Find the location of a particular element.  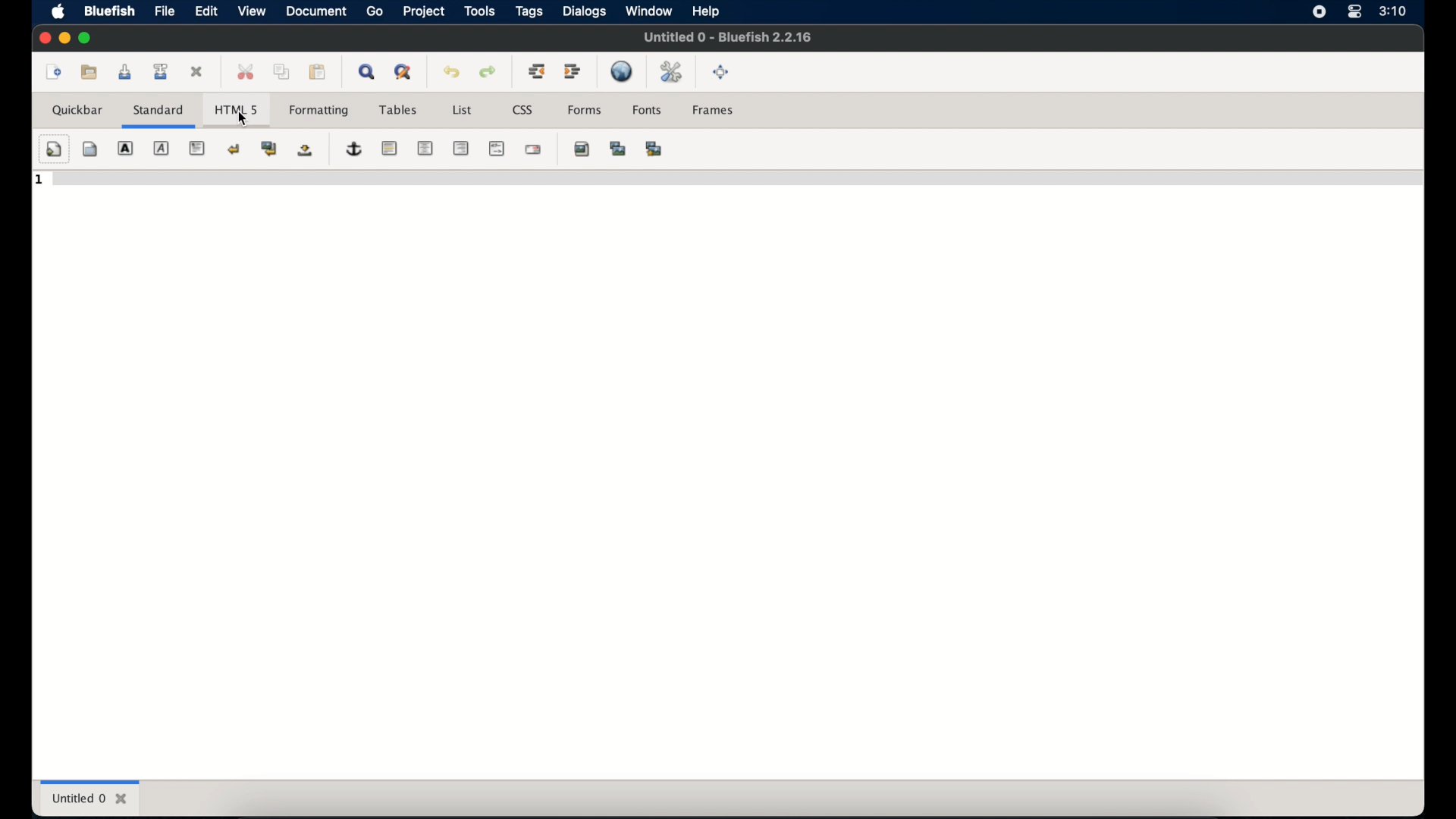

help is located at coordinates (706, 12).